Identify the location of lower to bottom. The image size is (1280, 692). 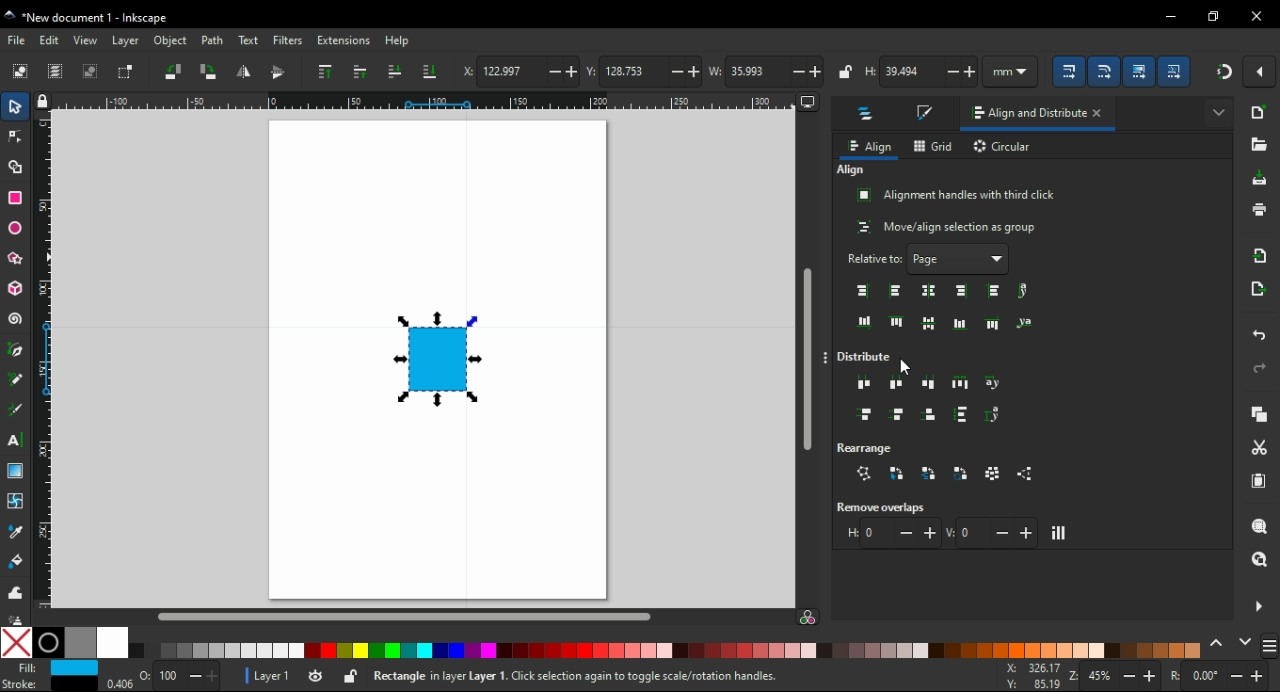
(430, 71).